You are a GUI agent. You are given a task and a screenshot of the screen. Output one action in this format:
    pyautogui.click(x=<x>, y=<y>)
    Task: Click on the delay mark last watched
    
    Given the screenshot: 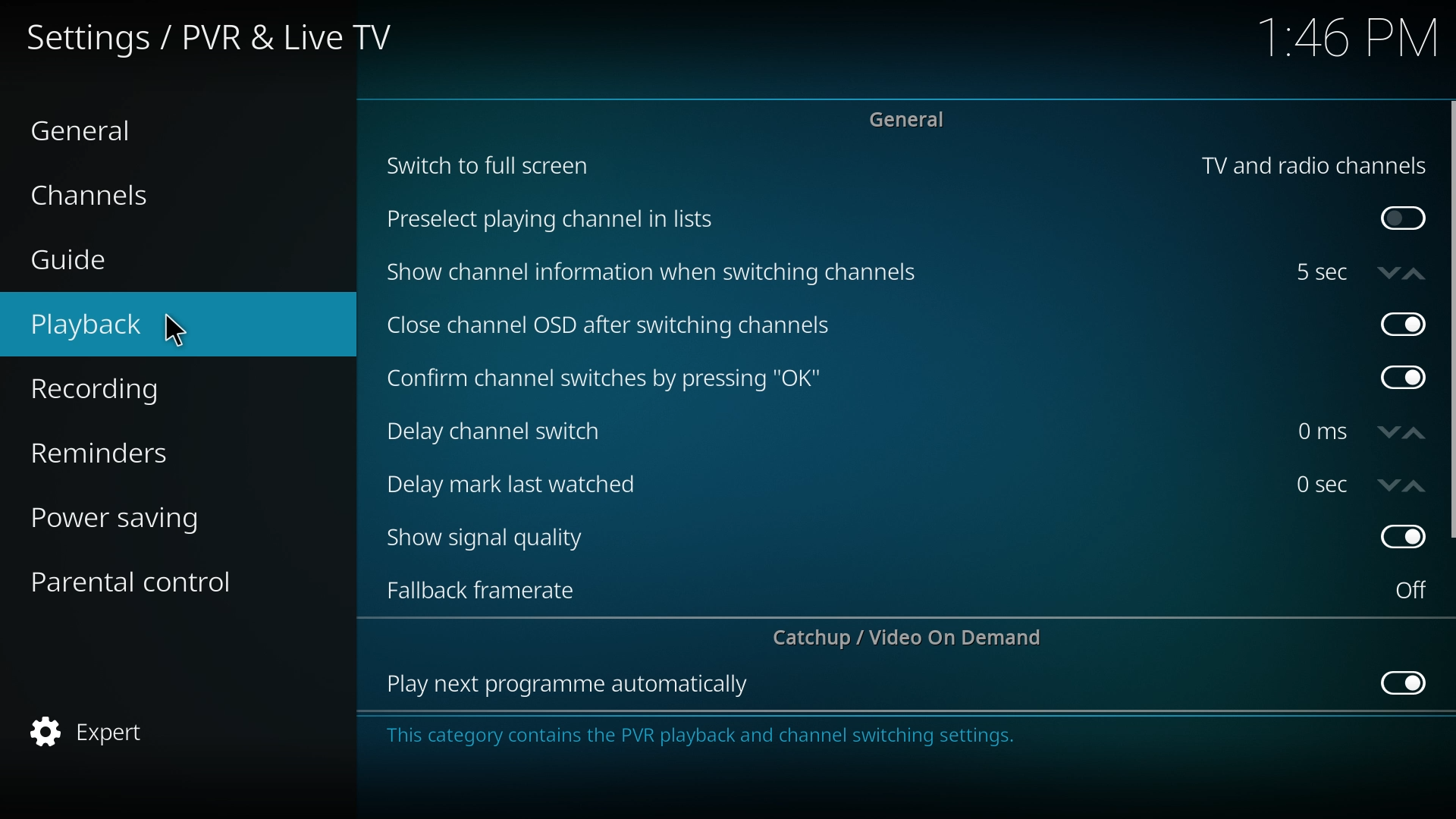 What is the action you would take?
    pyautogui.click(x=519, y=482)
    